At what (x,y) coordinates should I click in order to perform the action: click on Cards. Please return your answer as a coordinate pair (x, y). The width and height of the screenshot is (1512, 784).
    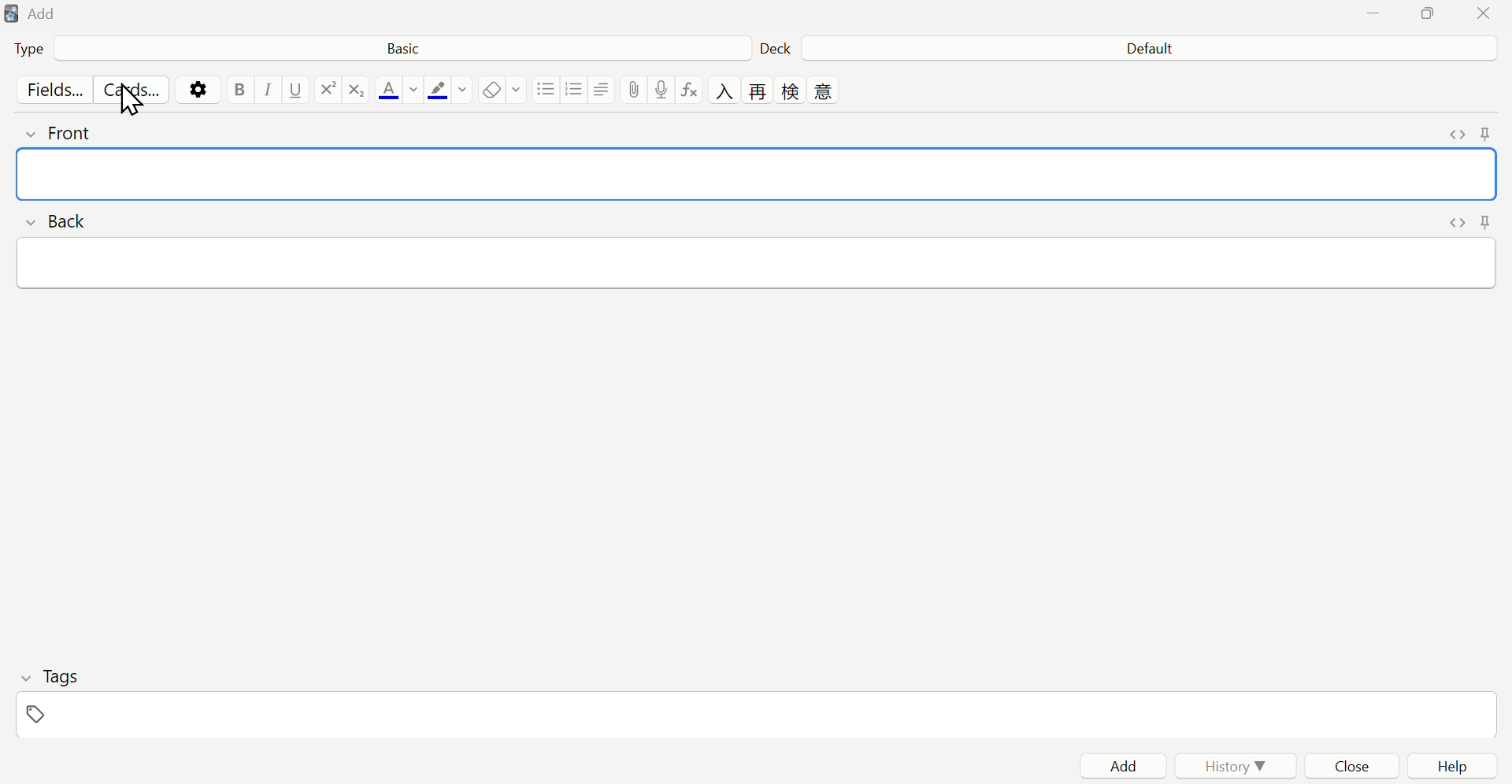
    Looking at the image, I should click on (133, 88).